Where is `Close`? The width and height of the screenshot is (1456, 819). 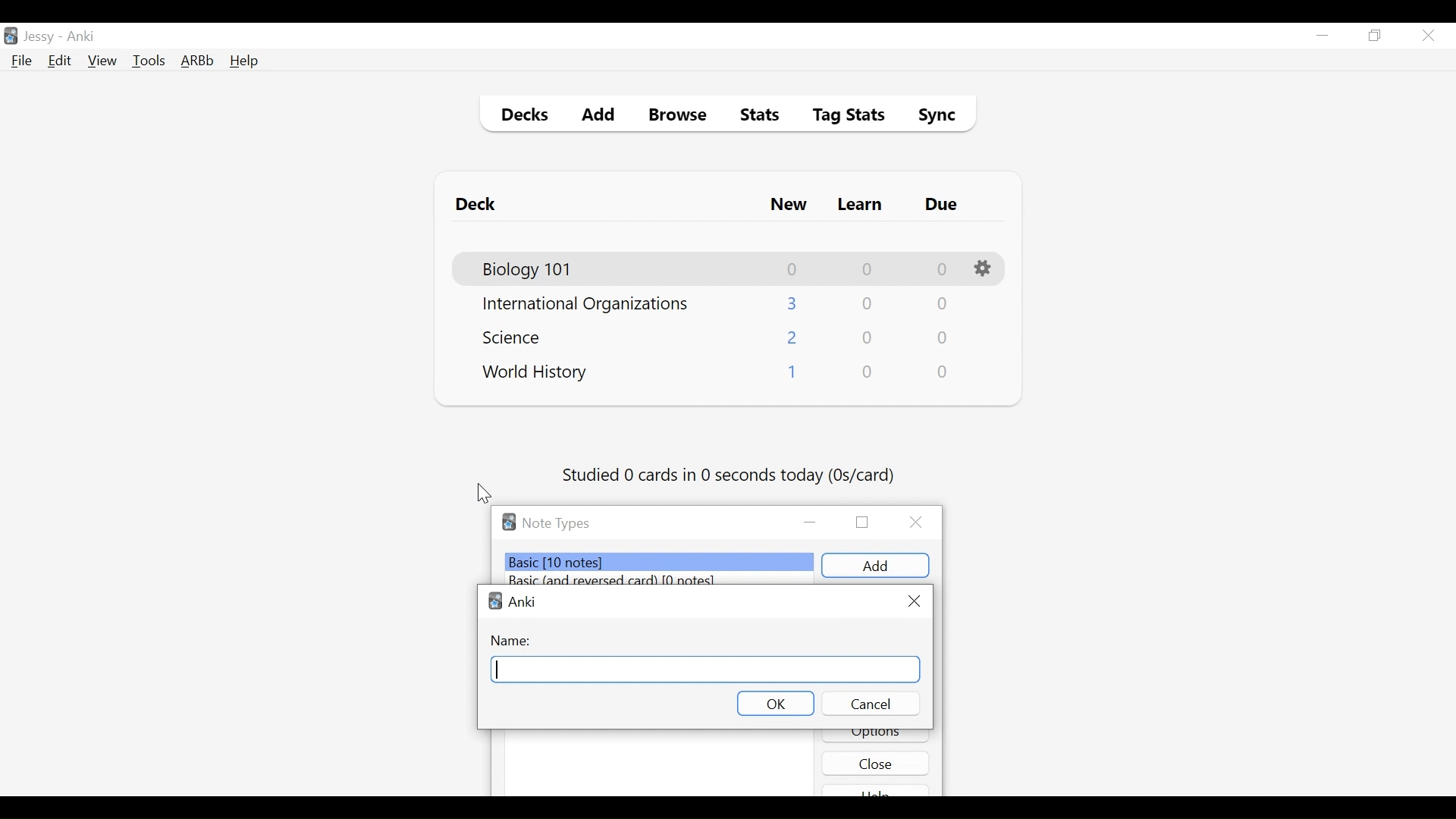
Close is located at coordinates (876, 763).